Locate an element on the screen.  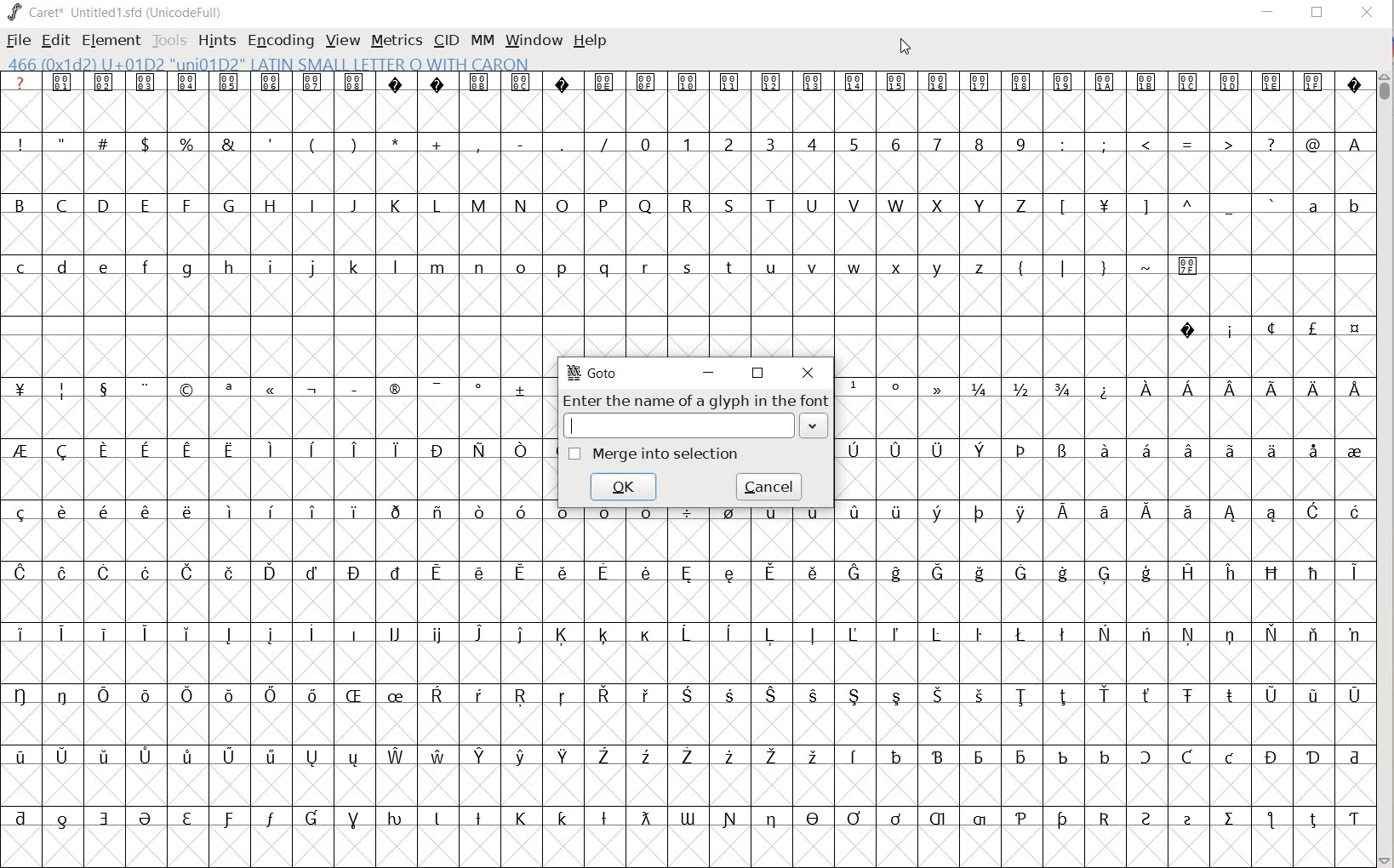
Merge into selection is located at coordinates (655, 454).